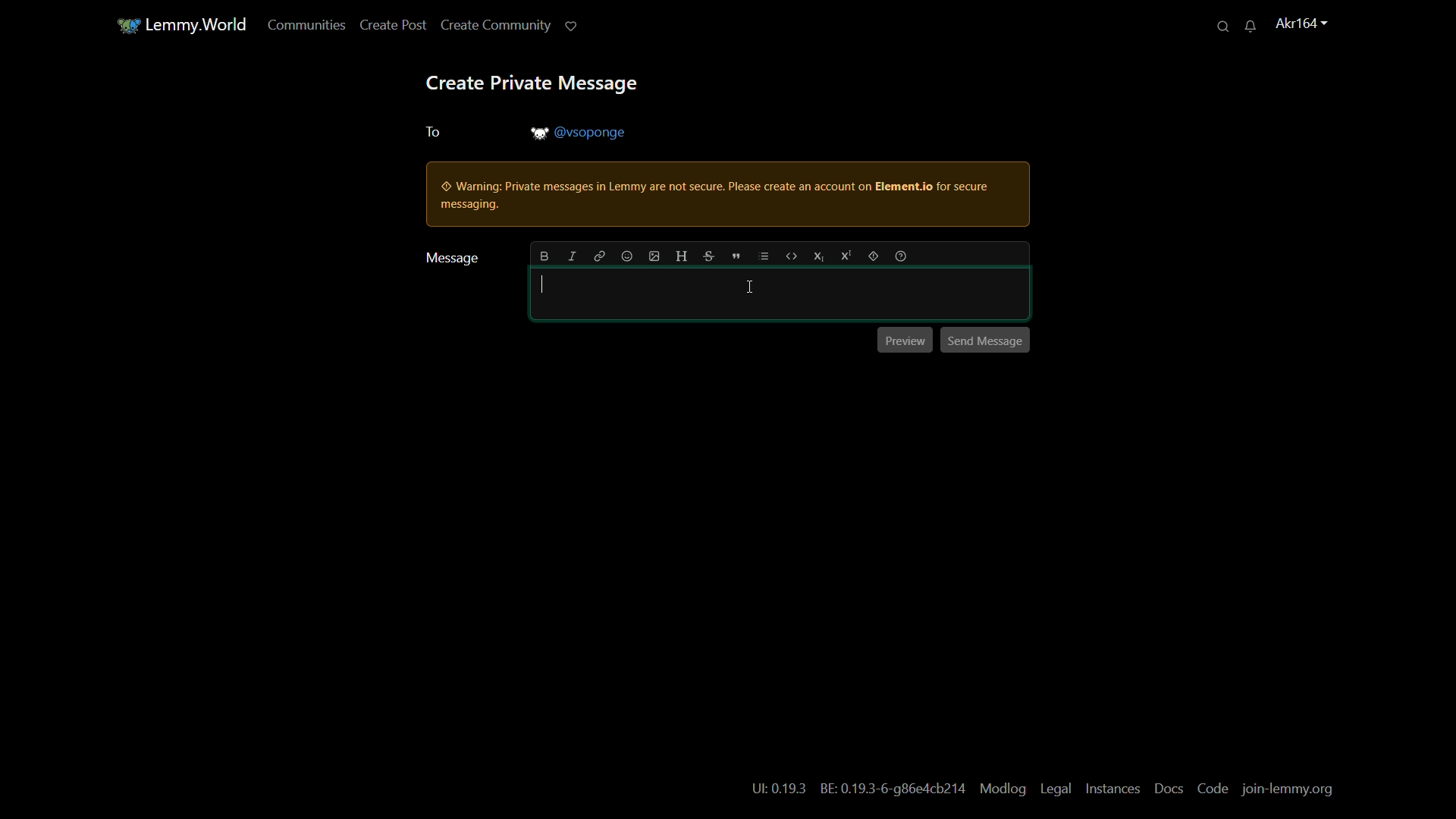 Image resolution: width=1456 pixels, height=819 pixels. I want to click on communities, so click(299, 27).